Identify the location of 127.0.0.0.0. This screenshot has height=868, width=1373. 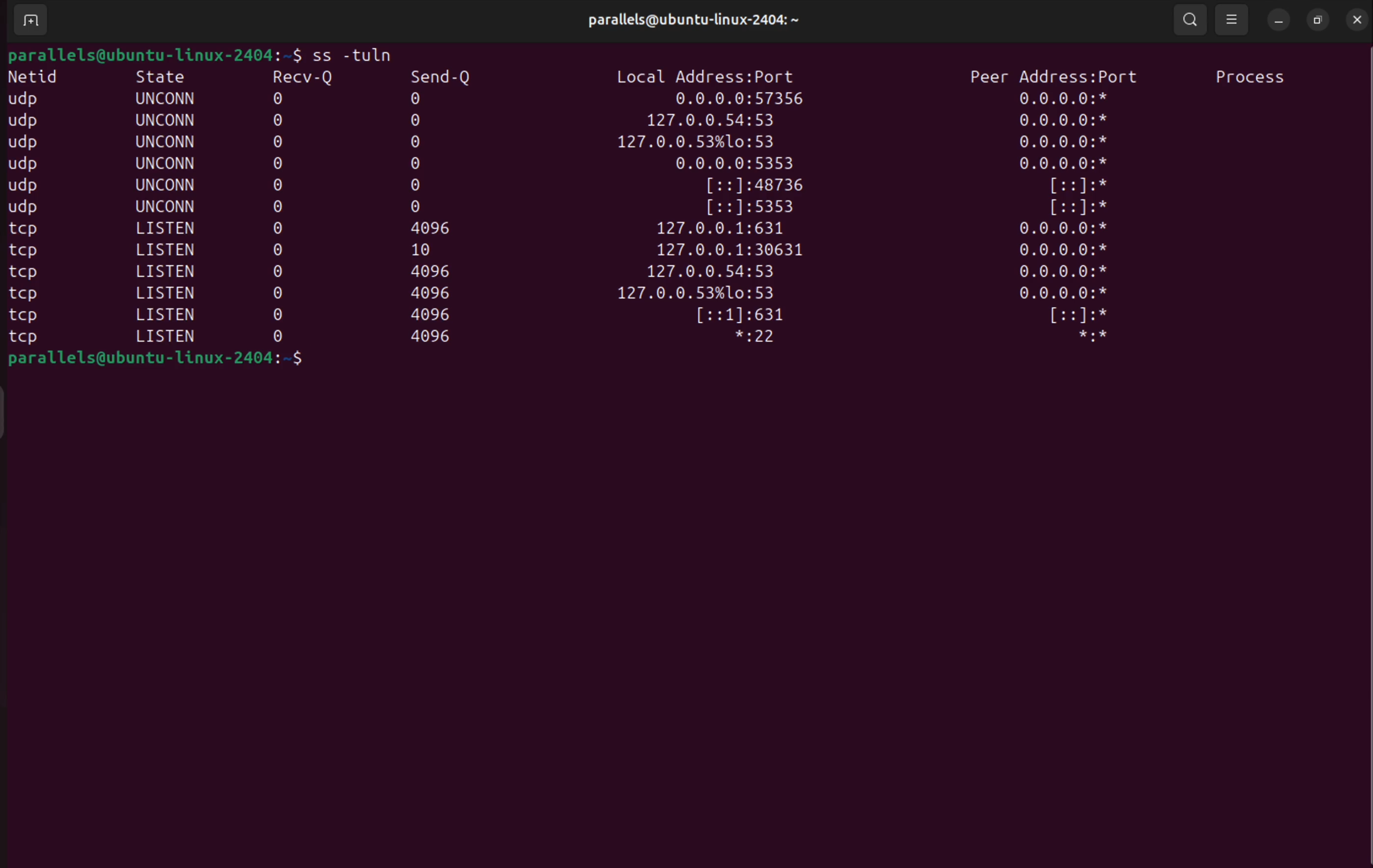
(722, 229).